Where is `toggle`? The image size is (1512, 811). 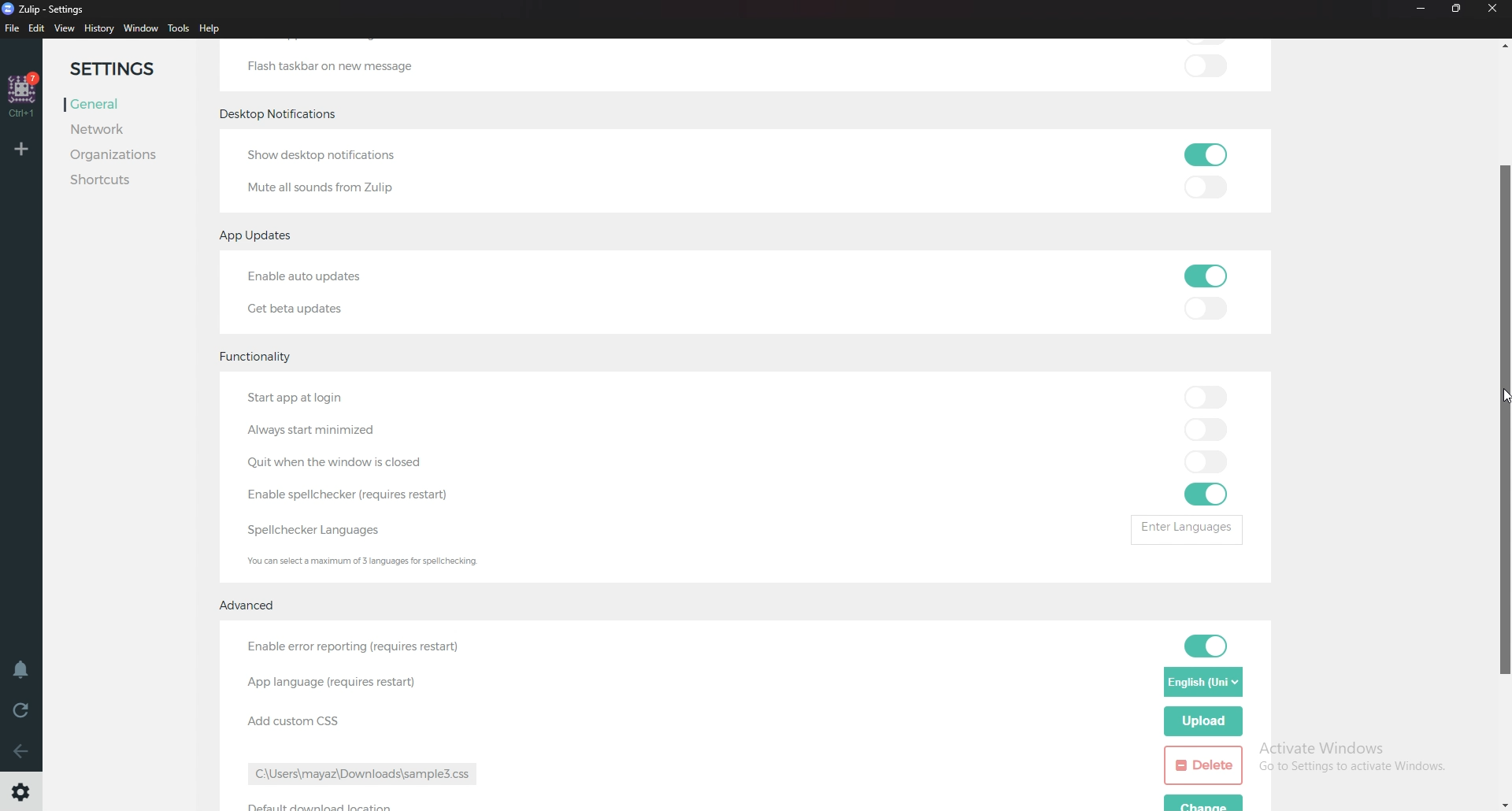
toggle is located at coordinates (1206, 305).